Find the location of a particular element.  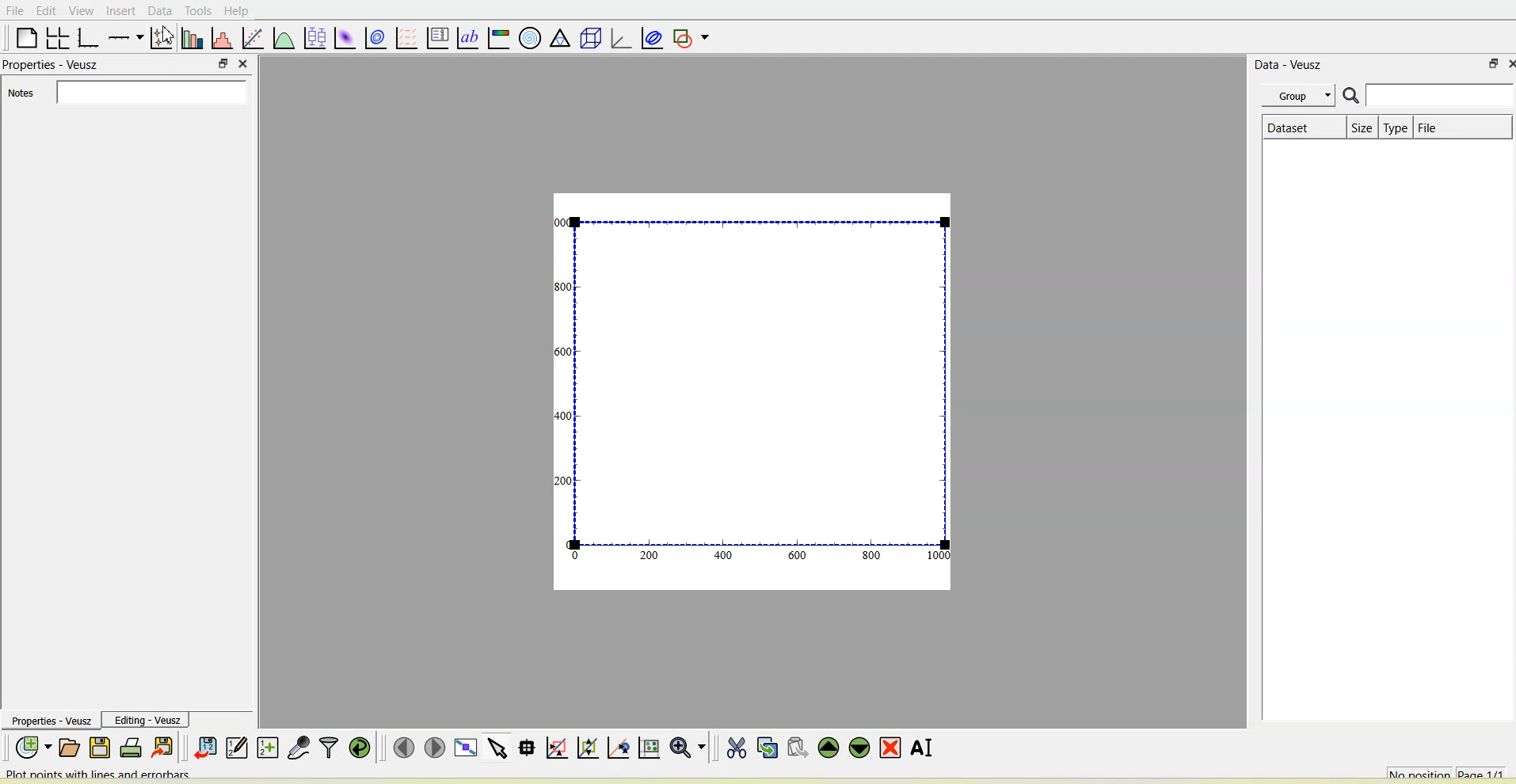

Plot points with lines and errorbars is located at coordinates (105, 774).